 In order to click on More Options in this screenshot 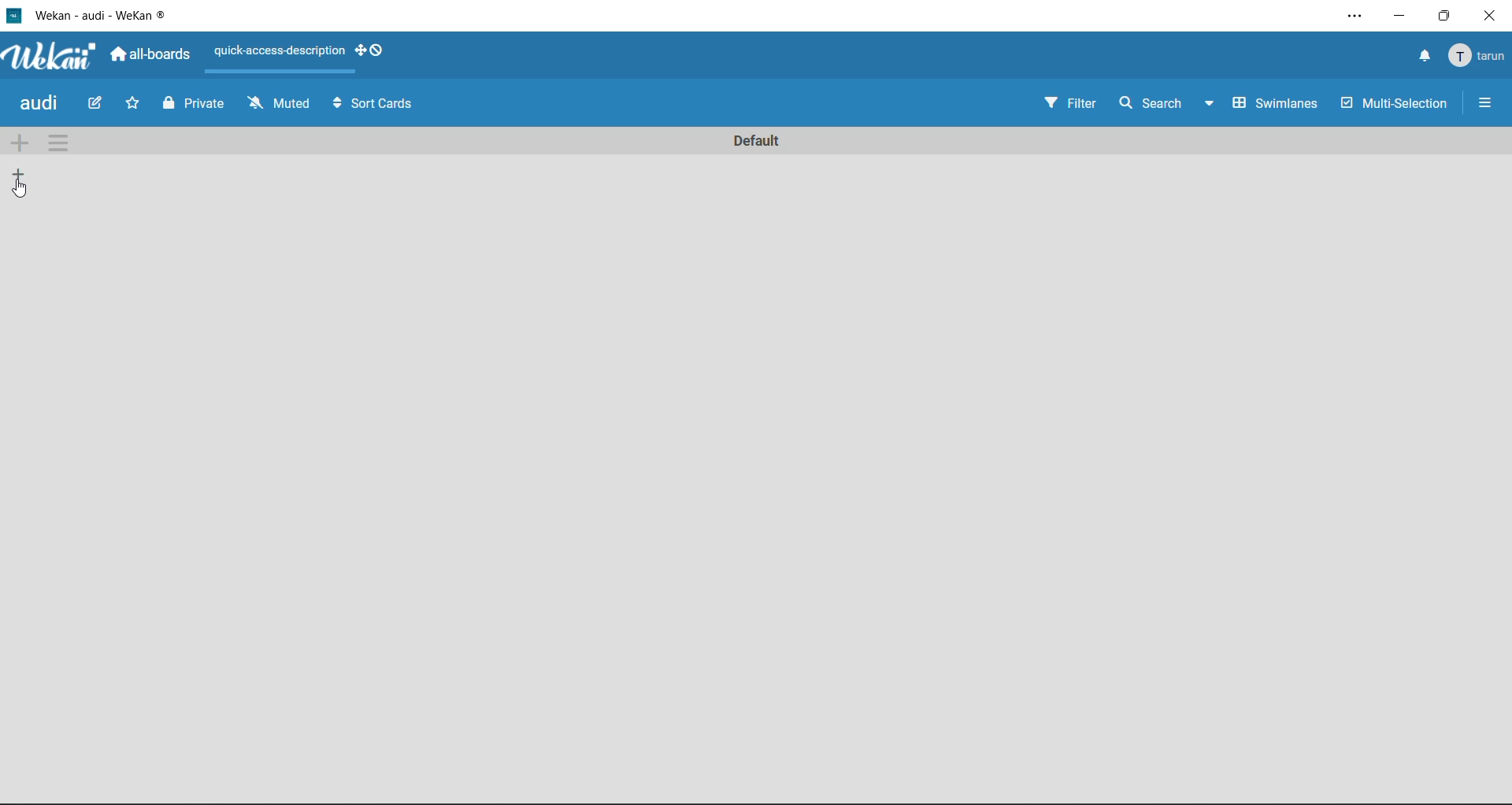, I will do `click(1481, 102)`.